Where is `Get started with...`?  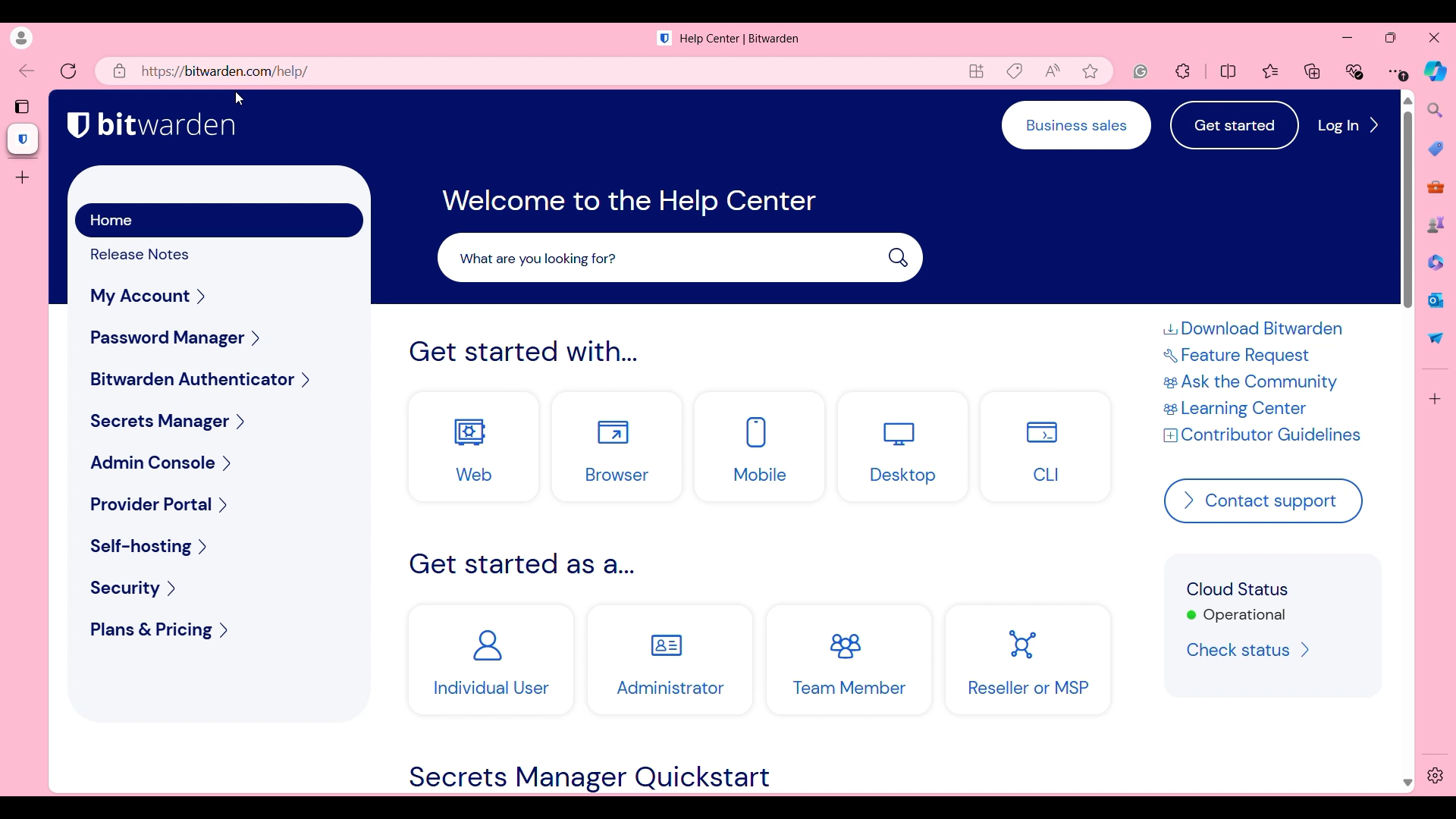
Get started with... is located at coordinates (524, 352).